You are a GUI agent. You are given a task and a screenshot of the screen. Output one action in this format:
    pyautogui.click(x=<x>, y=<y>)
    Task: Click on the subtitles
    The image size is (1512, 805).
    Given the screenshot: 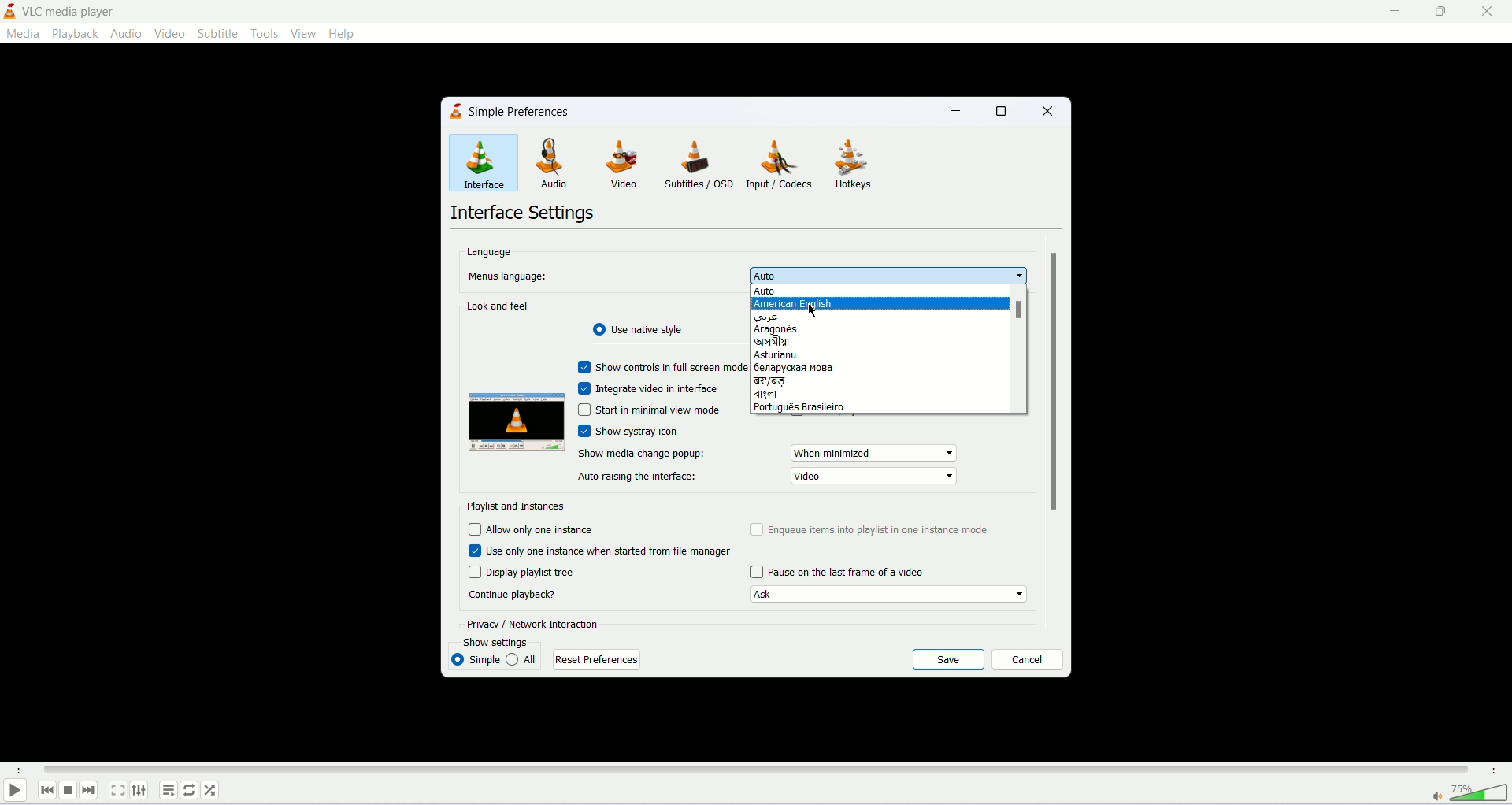 What is the action you would take?
    pyautogui.click(x=699, y=165)
    